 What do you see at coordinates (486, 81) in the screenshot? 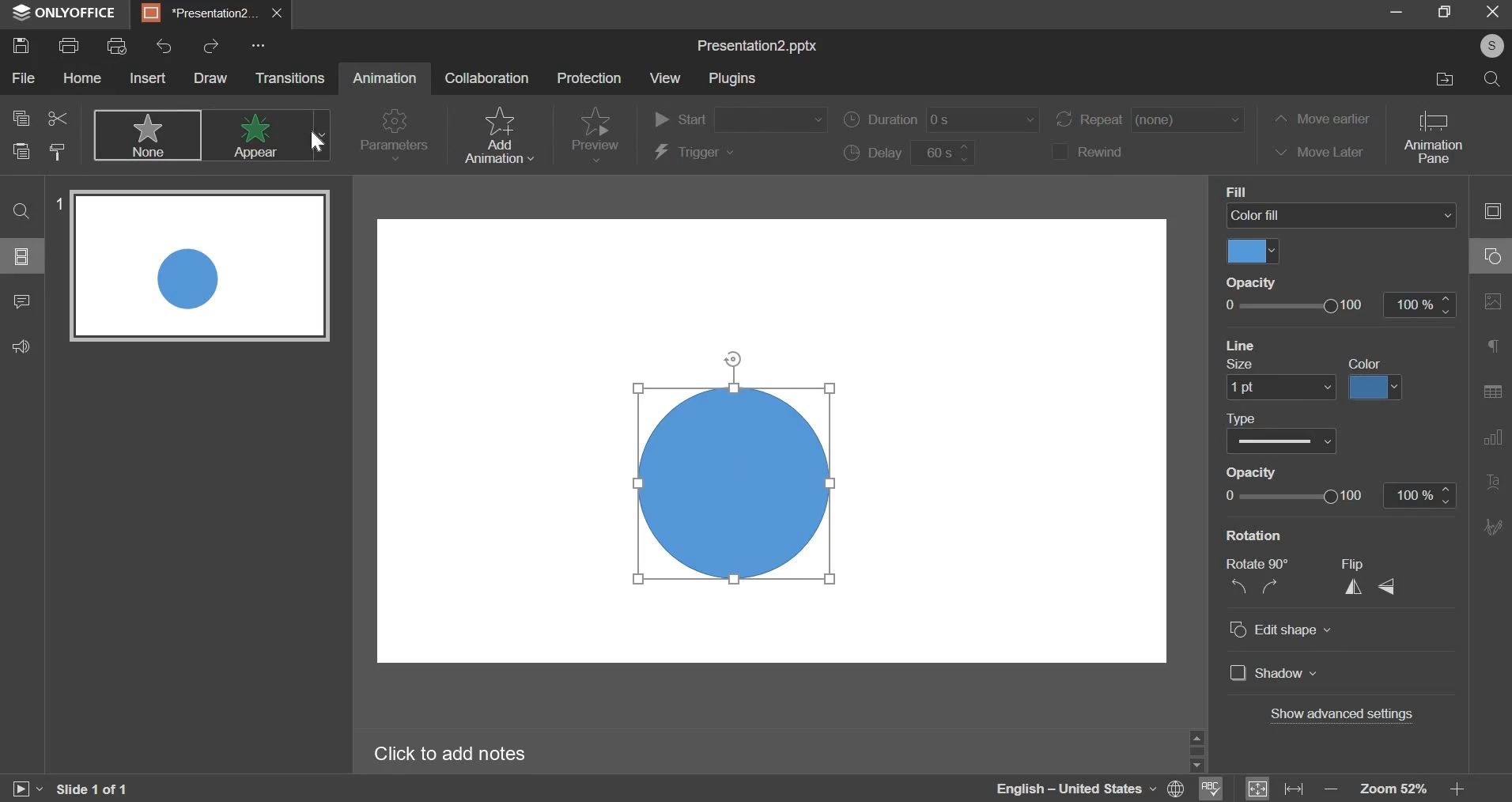
I see `Collaboration` at bounding box center [486, 81].